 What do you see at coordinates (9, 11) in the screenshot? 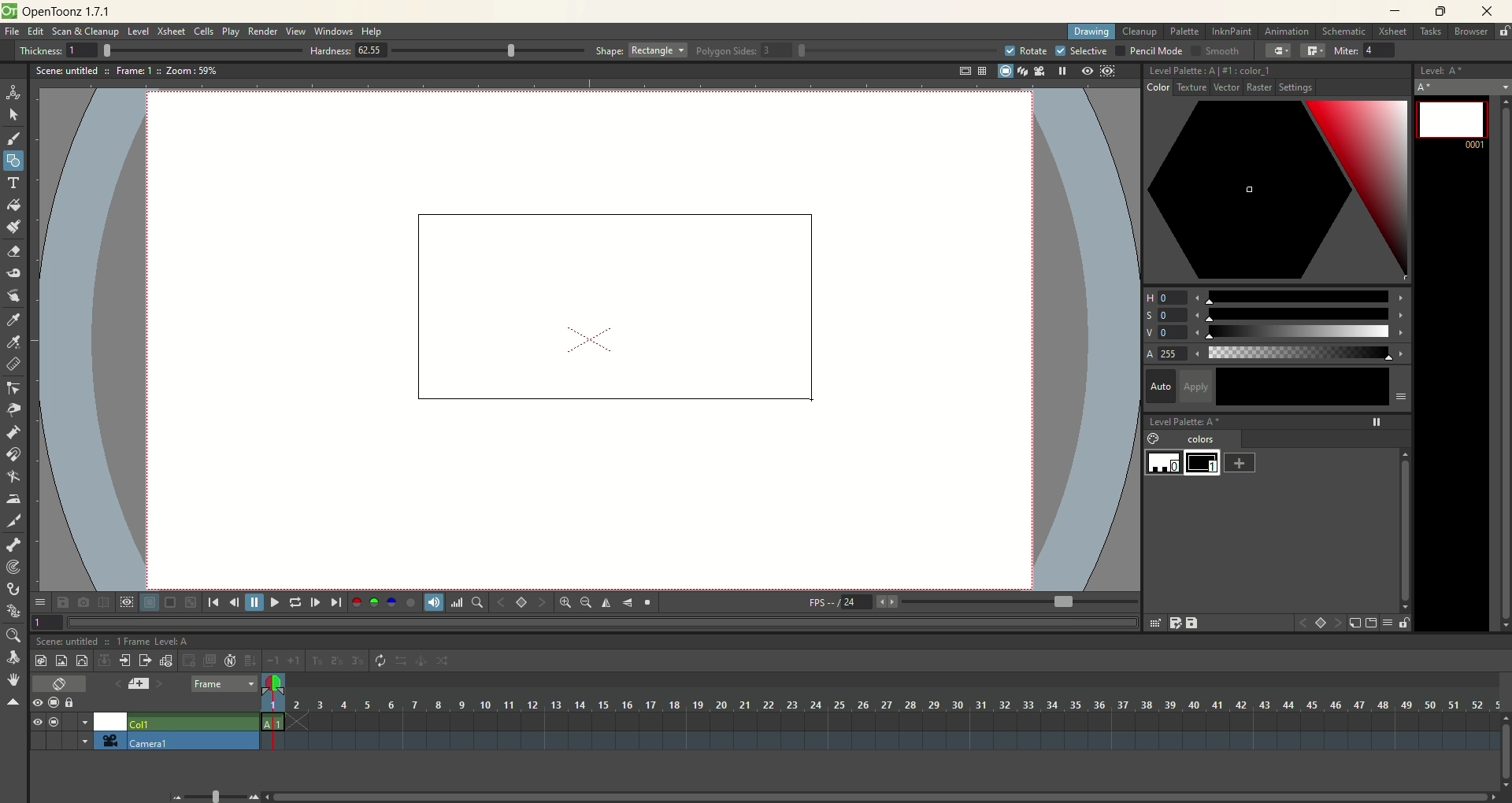
I see `logo` at bounding box center [9, 11].